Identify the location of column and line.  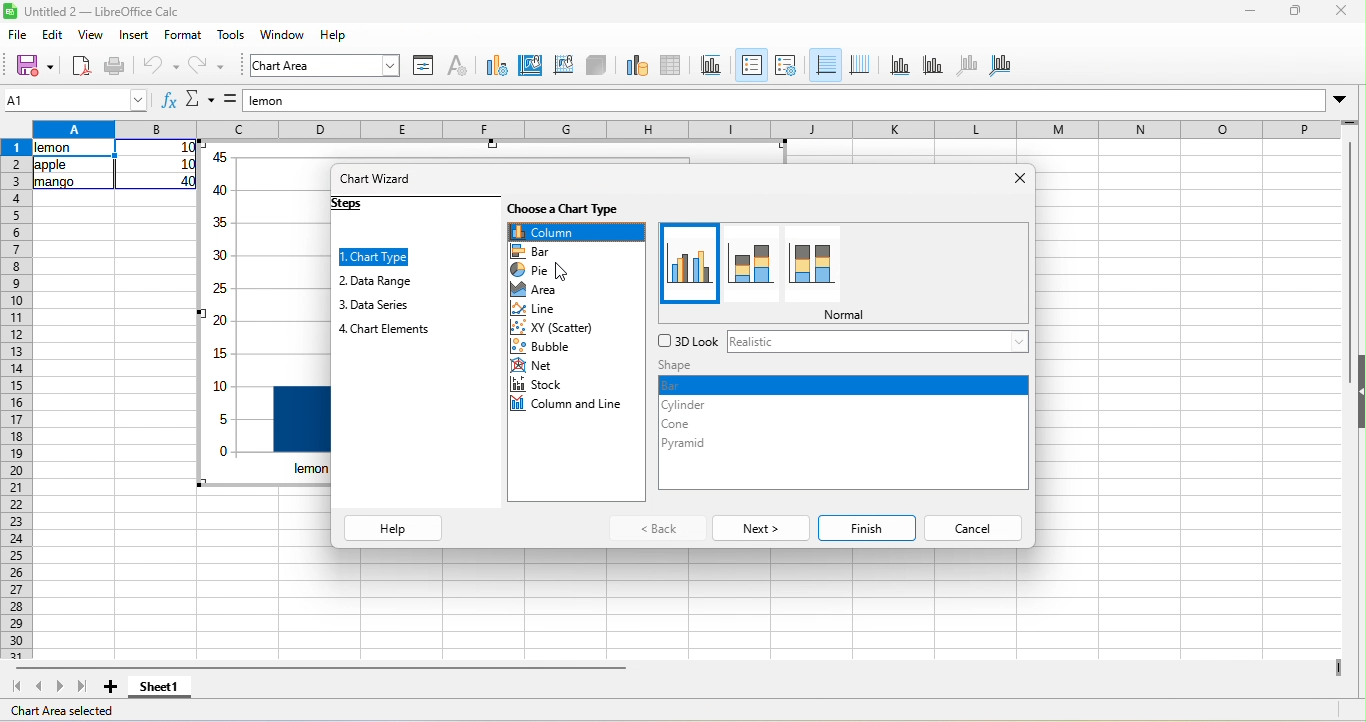
(569, 405).